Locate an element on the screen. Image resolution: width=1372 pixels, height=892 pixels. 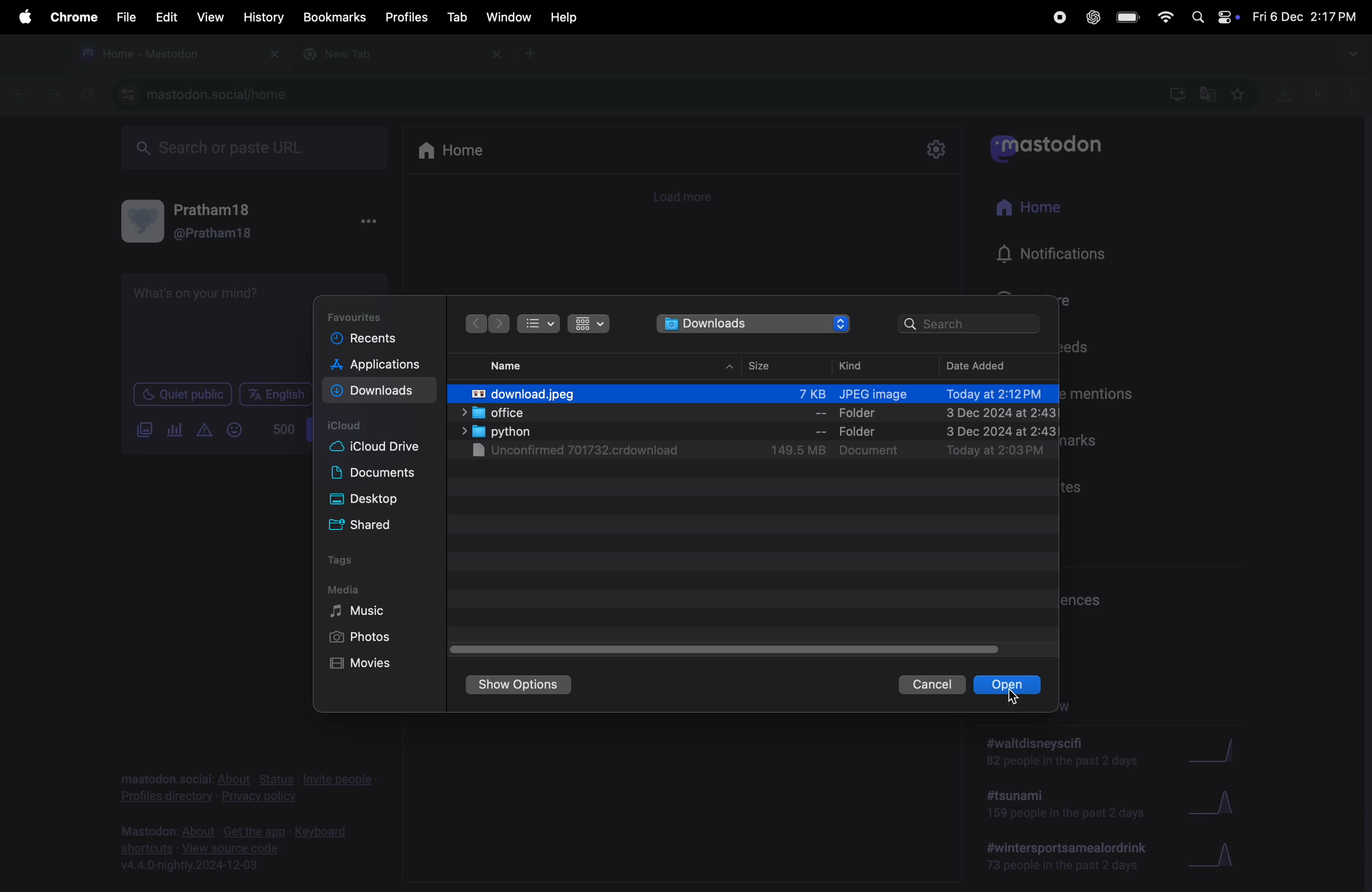
Graph is located at coordinates (1222, 800).